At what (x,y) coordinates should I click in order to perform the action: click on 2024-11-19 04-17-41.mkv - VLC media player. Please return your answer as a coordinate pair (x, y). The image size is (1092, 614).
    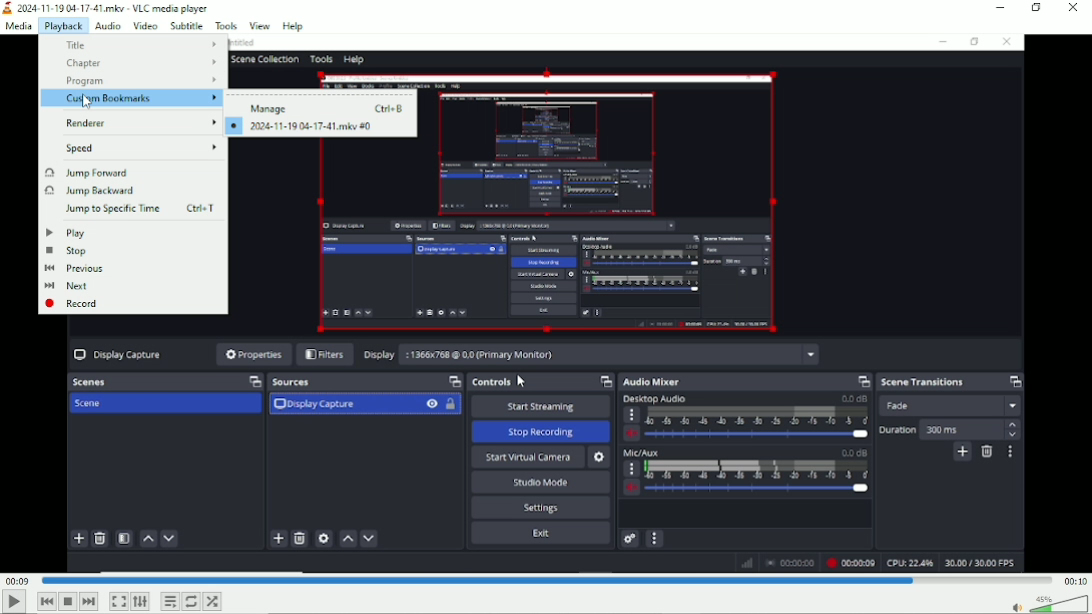
    Looking at the image, I should click on (107, 8).